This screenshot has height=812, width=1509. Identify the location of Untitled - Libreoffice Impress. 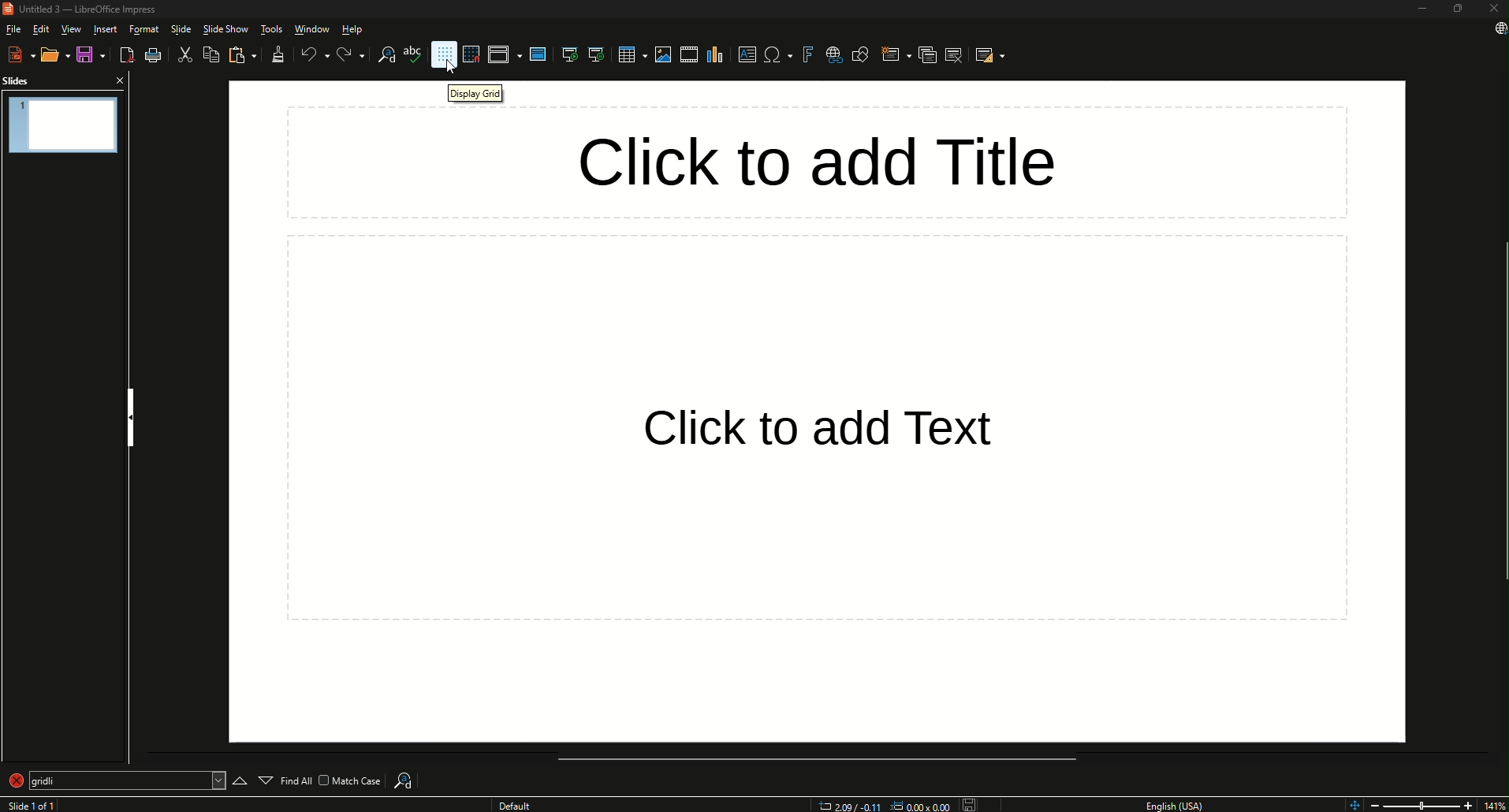
(84, 9).